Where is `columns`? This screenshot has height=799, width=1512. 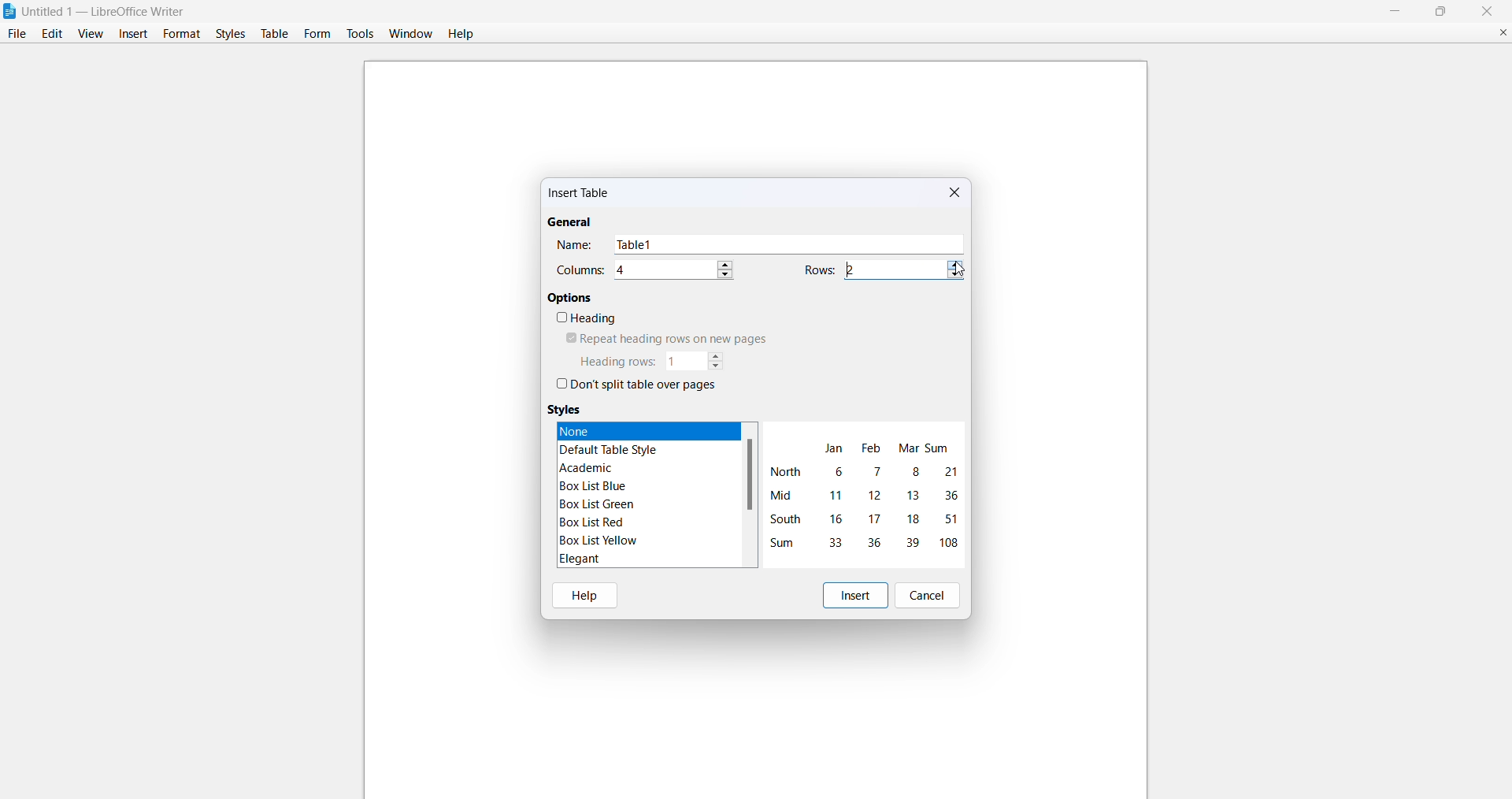 columns is located at coordinates (580, 270).